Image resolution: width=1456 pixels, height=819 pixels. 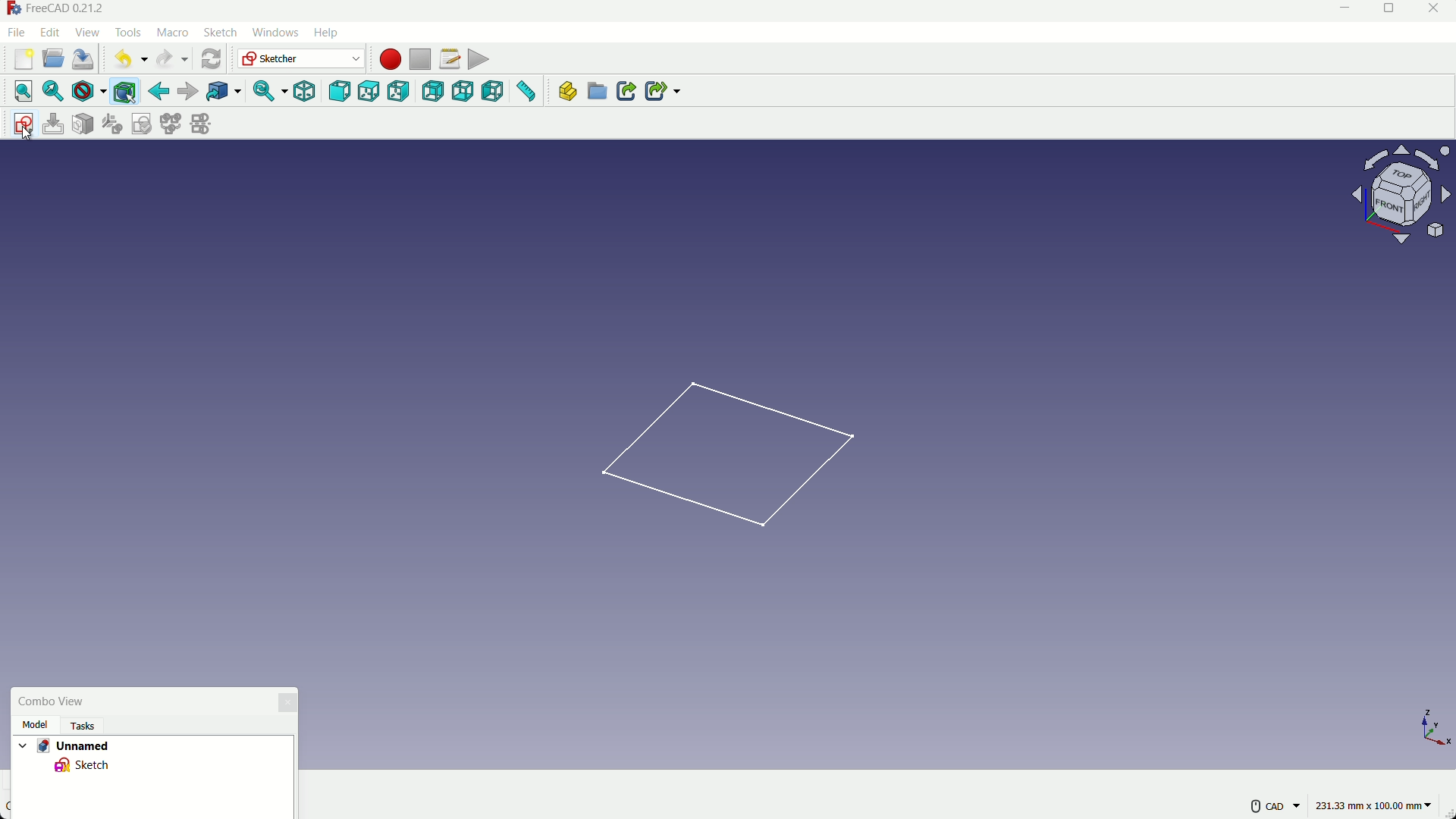 What do you see at coordinates (23, 90) in the screenshot?
I see `select all` at bounding box center [23, 90].